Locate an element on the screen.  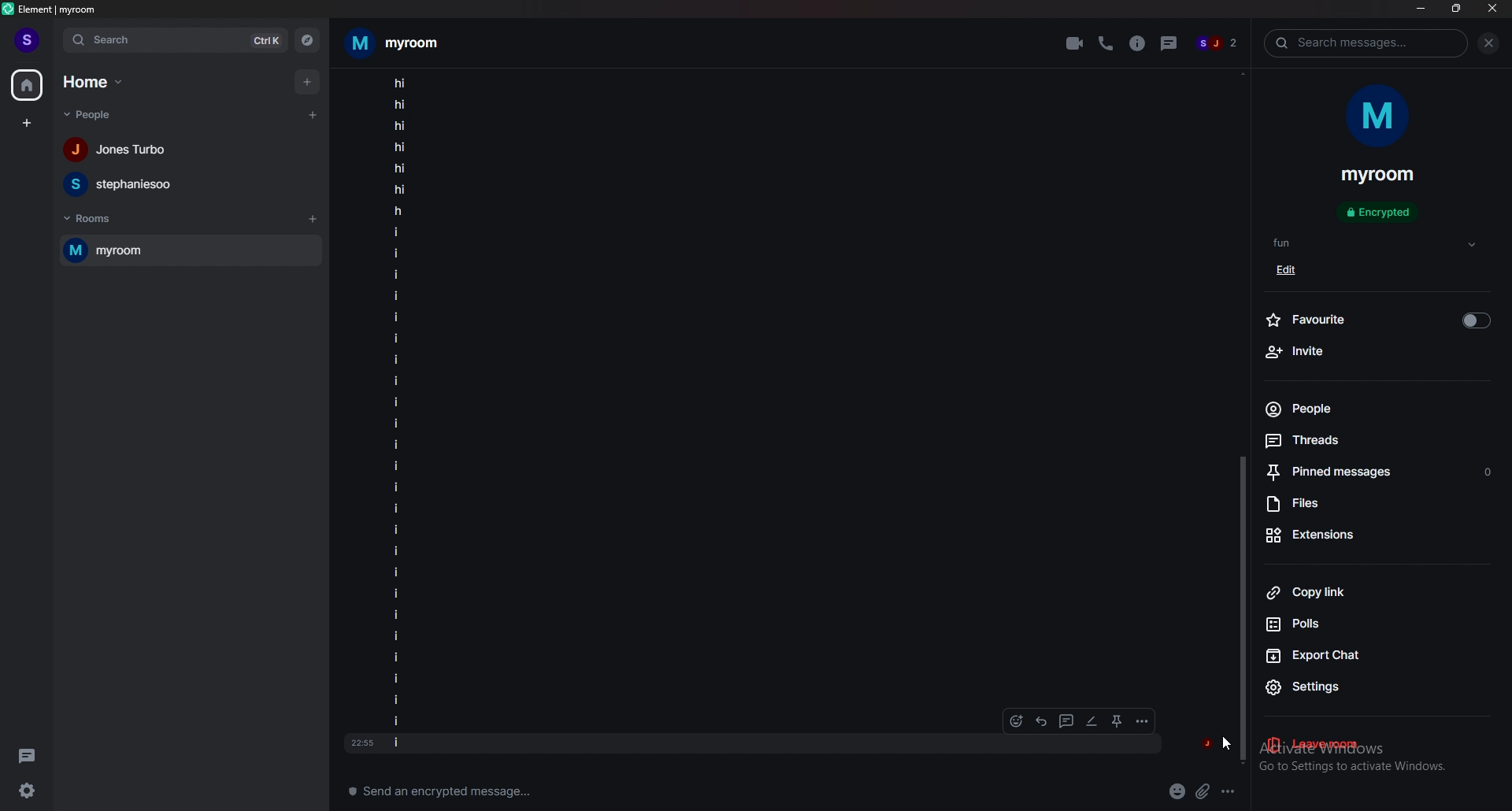
attachment is located at coordinates (1202, 791).